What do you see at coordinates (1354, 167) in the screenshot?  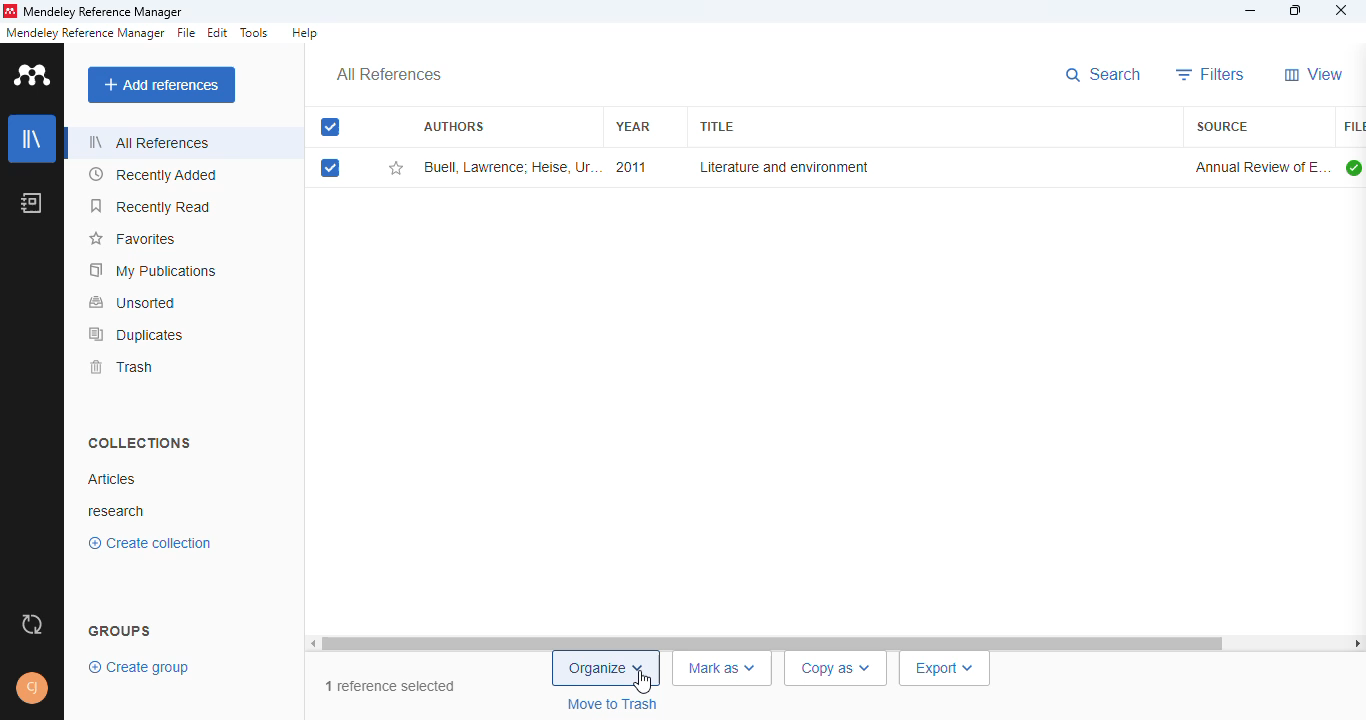 I see `all files downloaded` at bounding box center [1354, 167].